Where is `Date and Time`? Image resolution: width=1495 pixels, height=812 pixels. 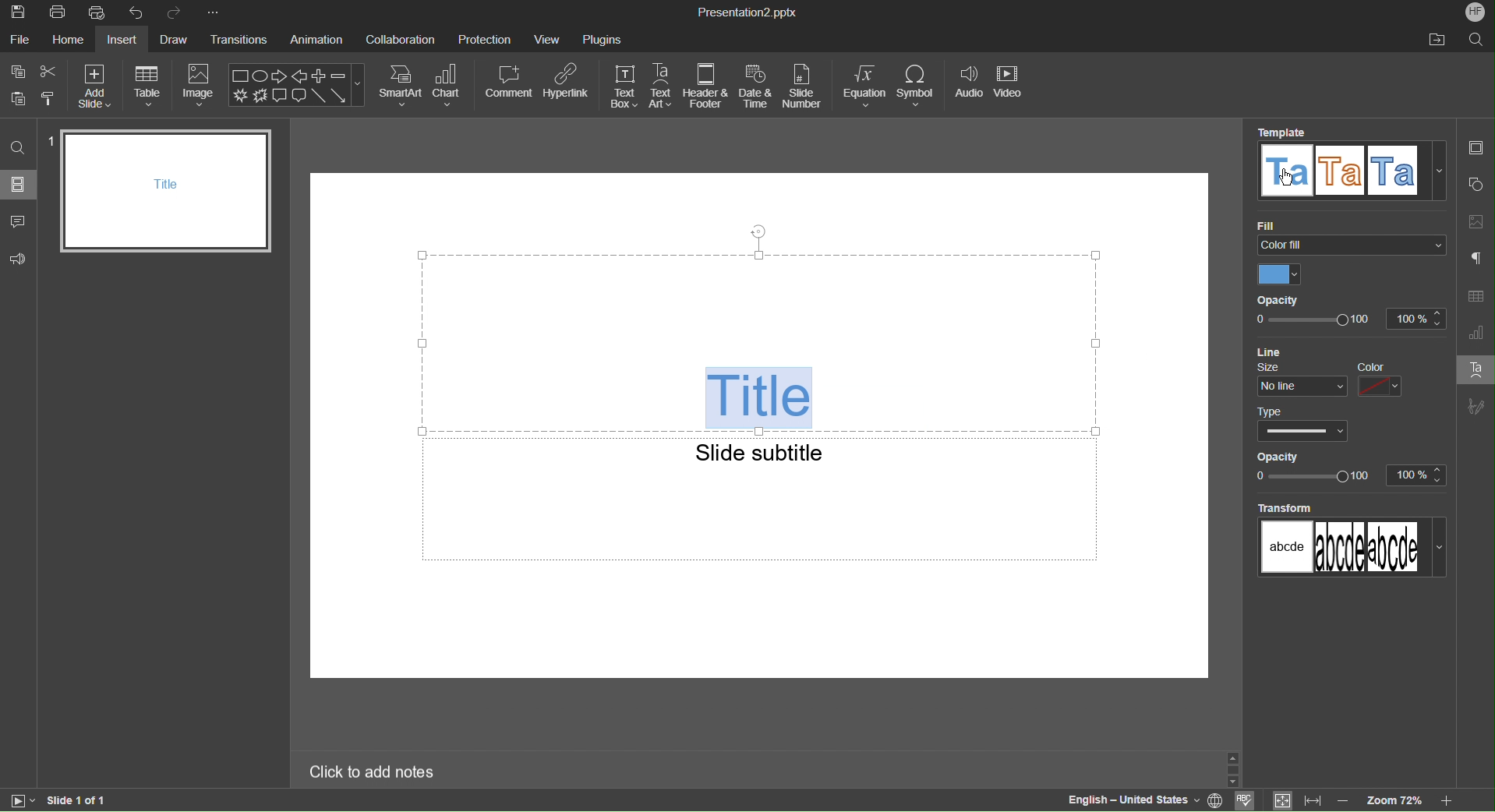
Date and Time is located at coordinates (758, 86).